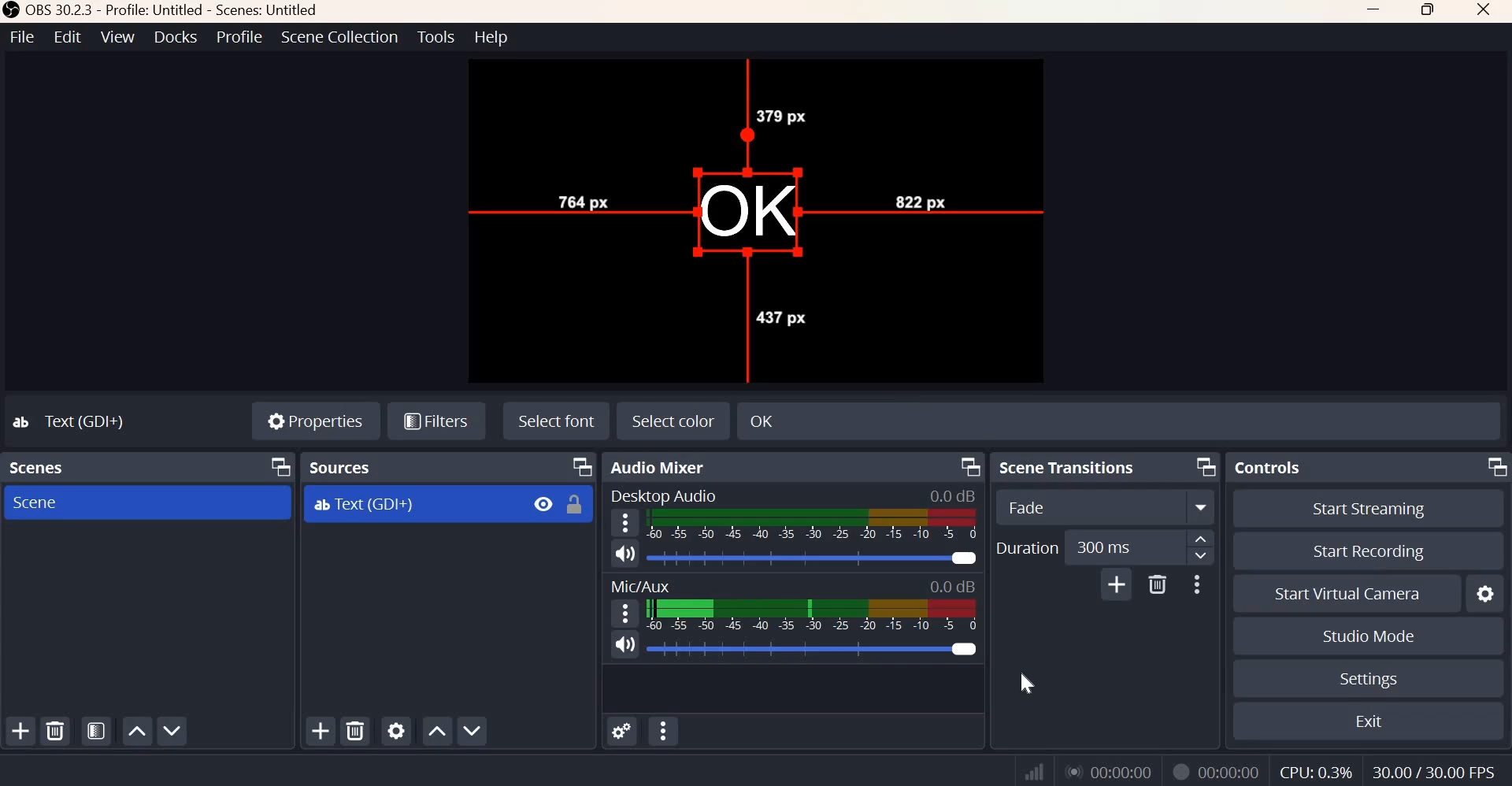 This screenshot has width=1512, height=786. What do you see at coordinates (1266, 466) in the screenshot?
I see `controls` at bounding box center [1266, 466].